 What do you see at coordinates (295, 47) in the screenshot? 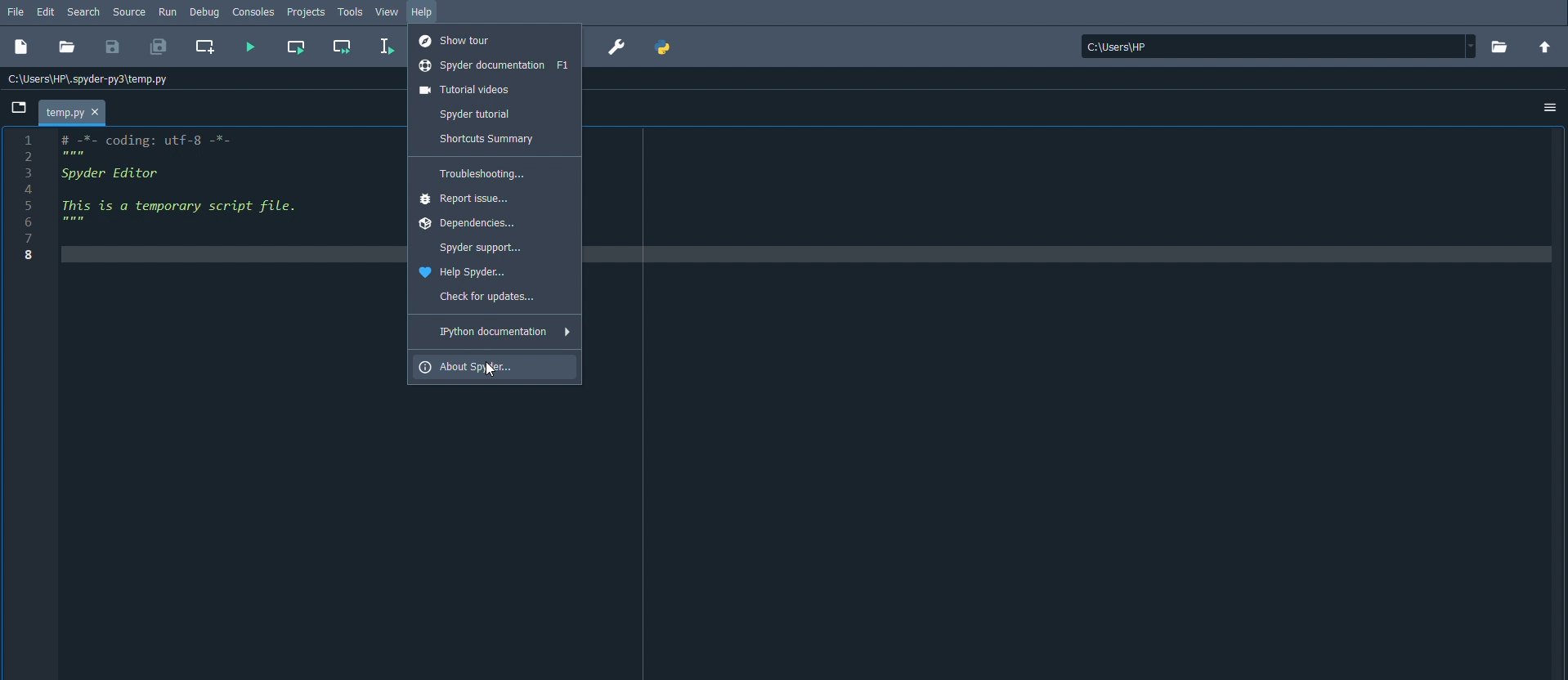
I see `Run current cell` at bounding box center [295, 47].